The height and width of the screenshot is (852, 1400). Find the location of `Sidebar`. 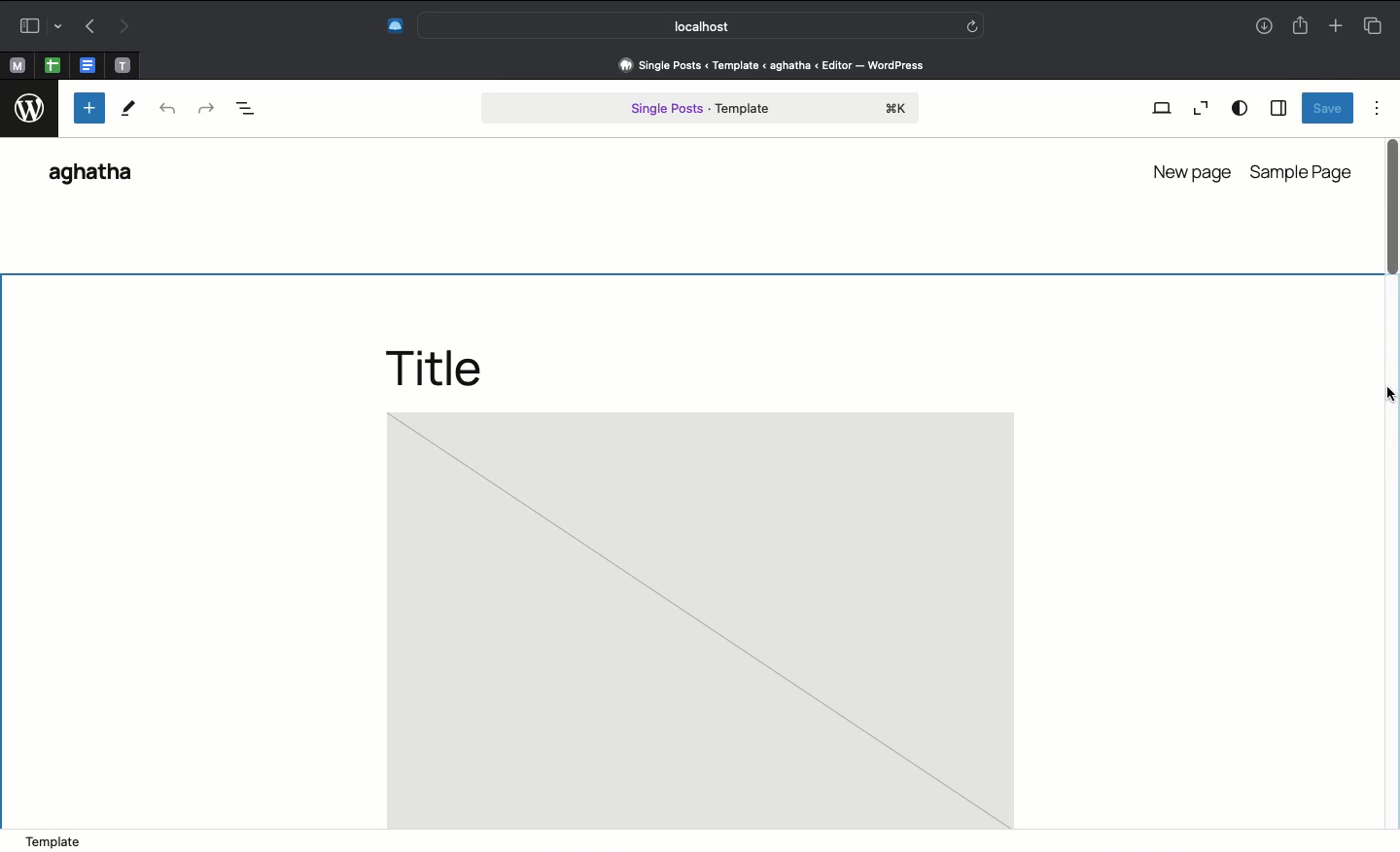

Sidebar is located at coordinates (1277, 109).